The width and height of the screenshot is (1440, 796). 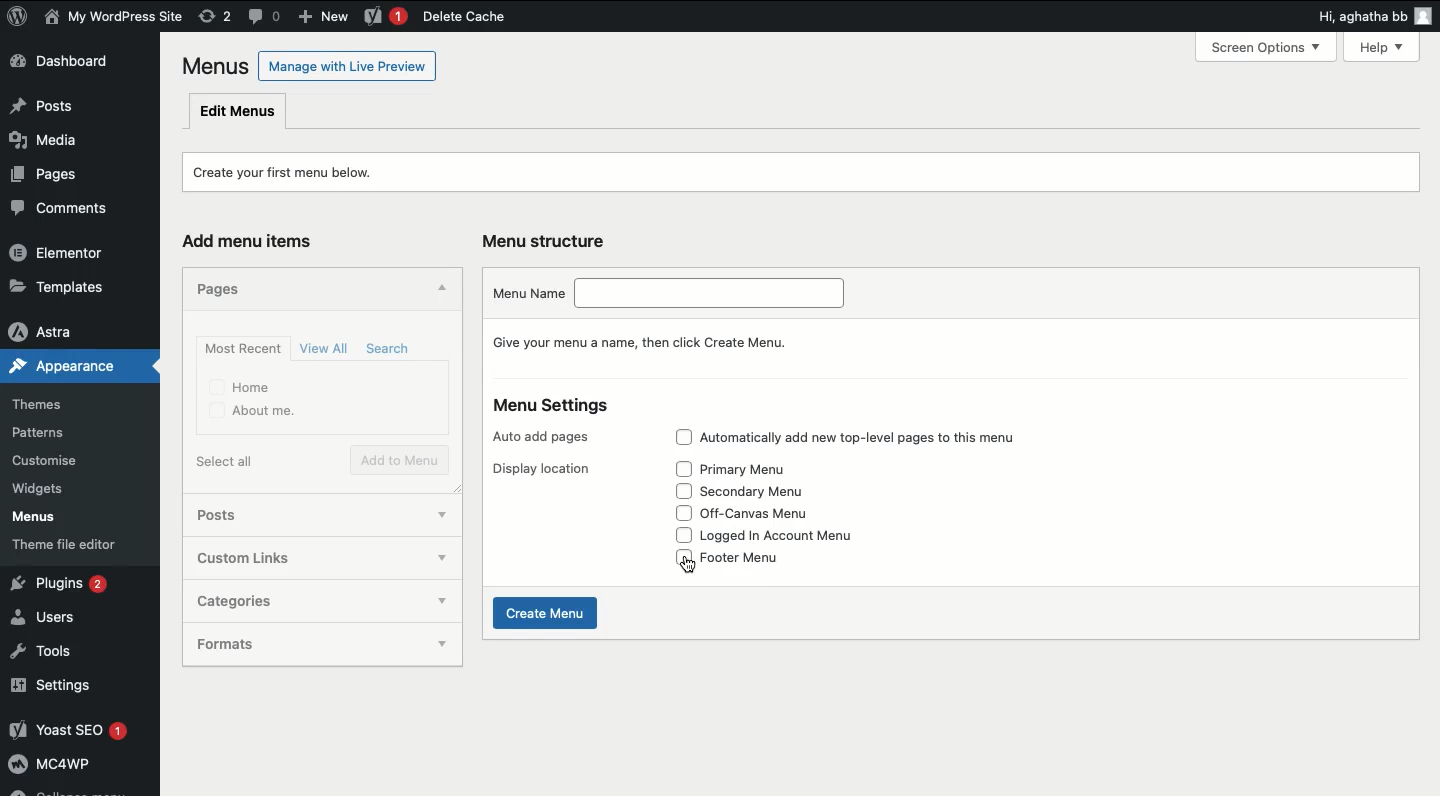 I want to click on Select all, so click(x=224, y=461).